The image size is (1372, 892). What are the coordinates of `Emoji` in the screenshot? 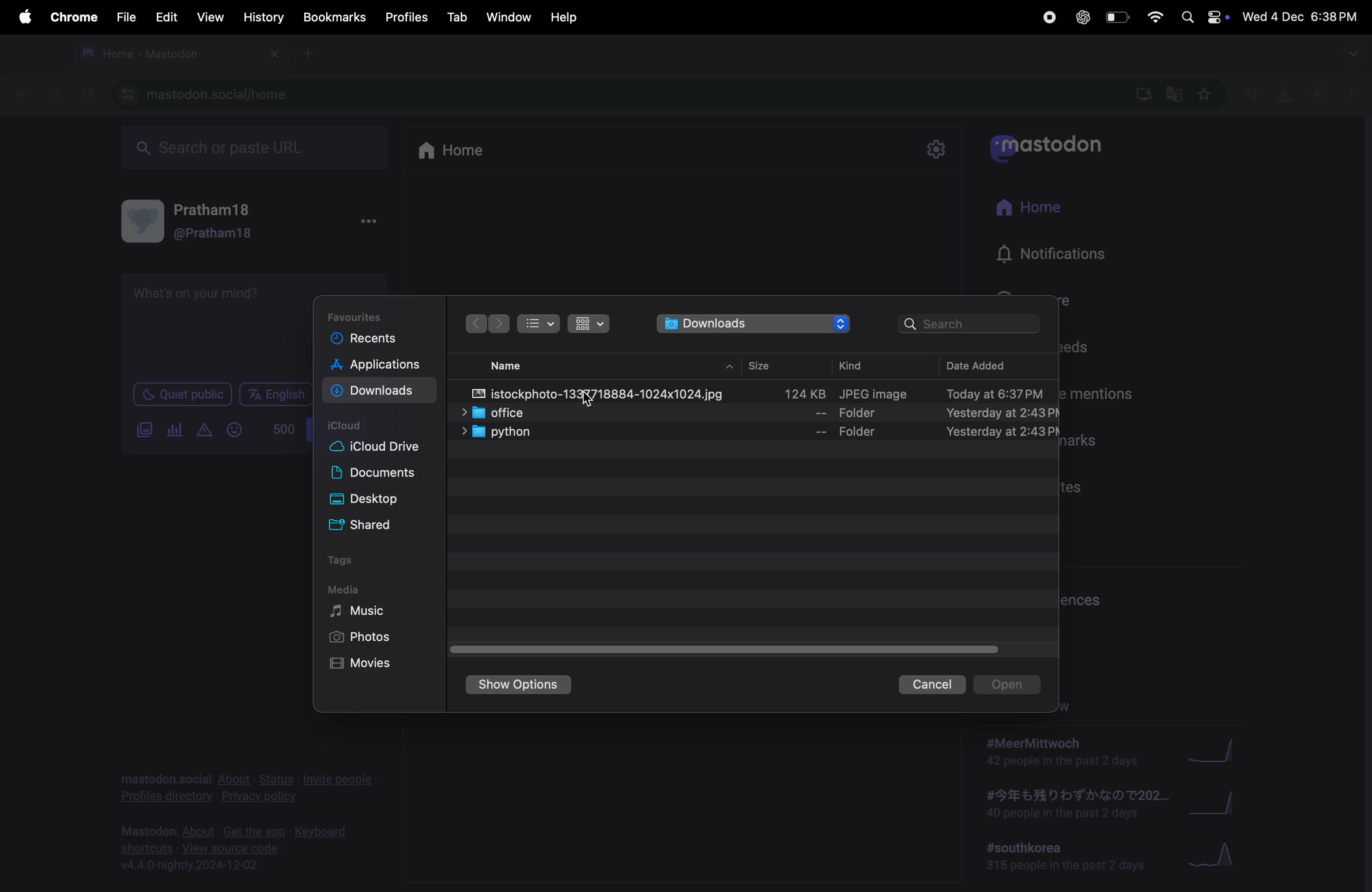 It's located at (232, 430).